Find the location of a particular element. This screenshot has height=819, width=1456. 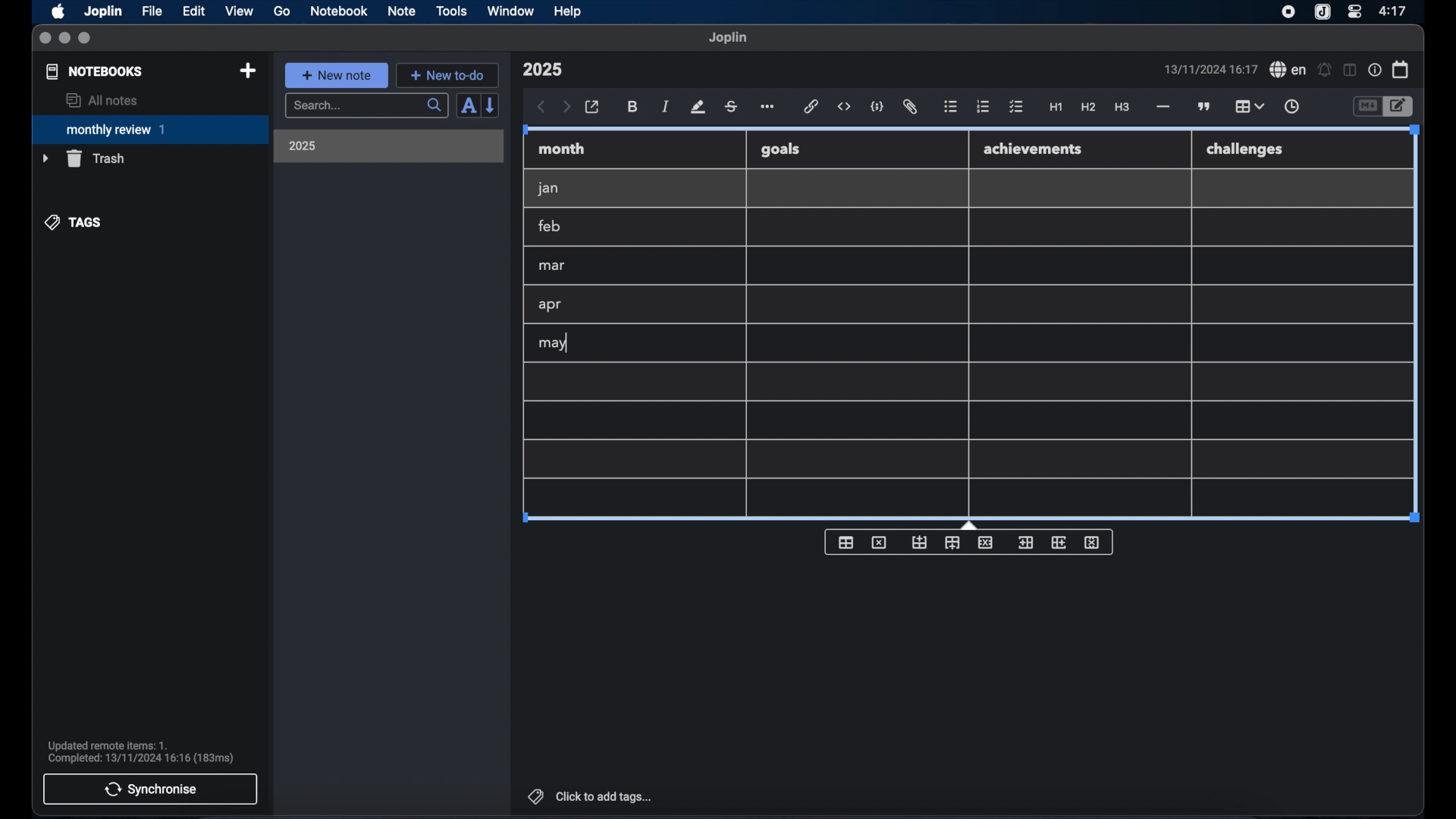

challenges is located at coordinates (1246, 150).